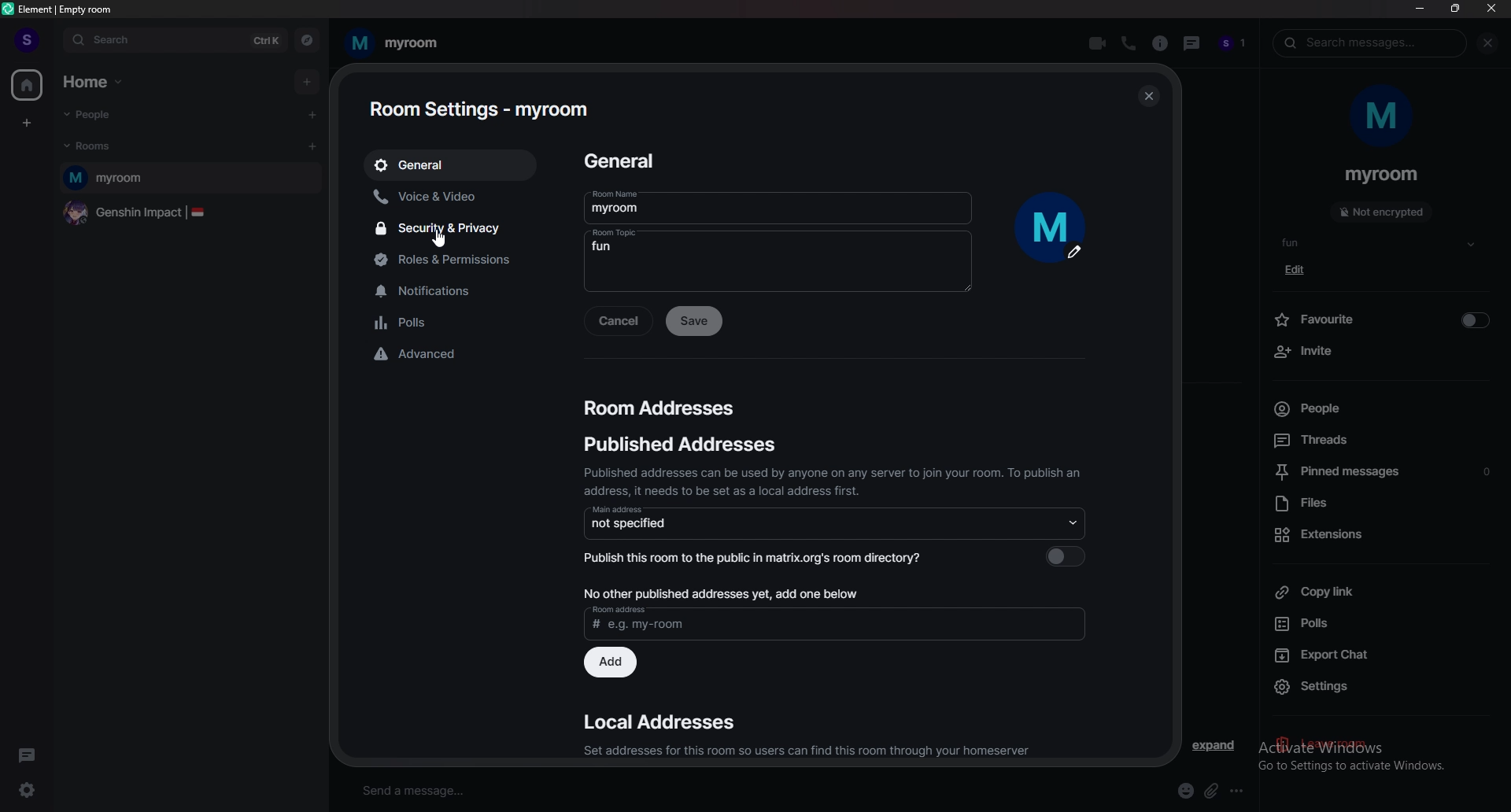 The width and height of the screenshot is (1511, 812). I want to click on Set addresses for this room so users can find this room through your homeserver, so click(807, 749).